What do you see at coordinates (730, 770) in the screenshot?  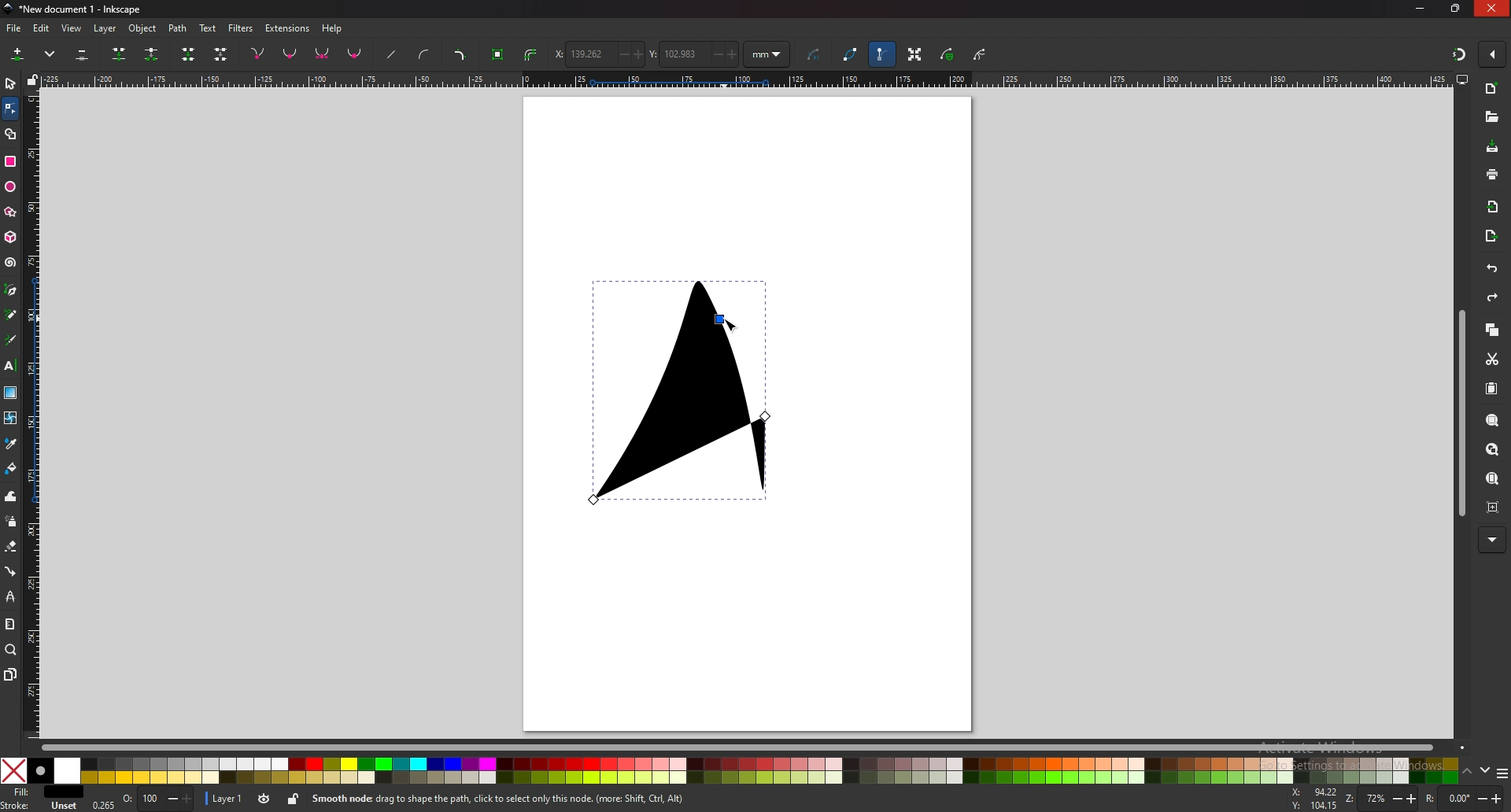 I see `colors` at bounding box center [730, 770].